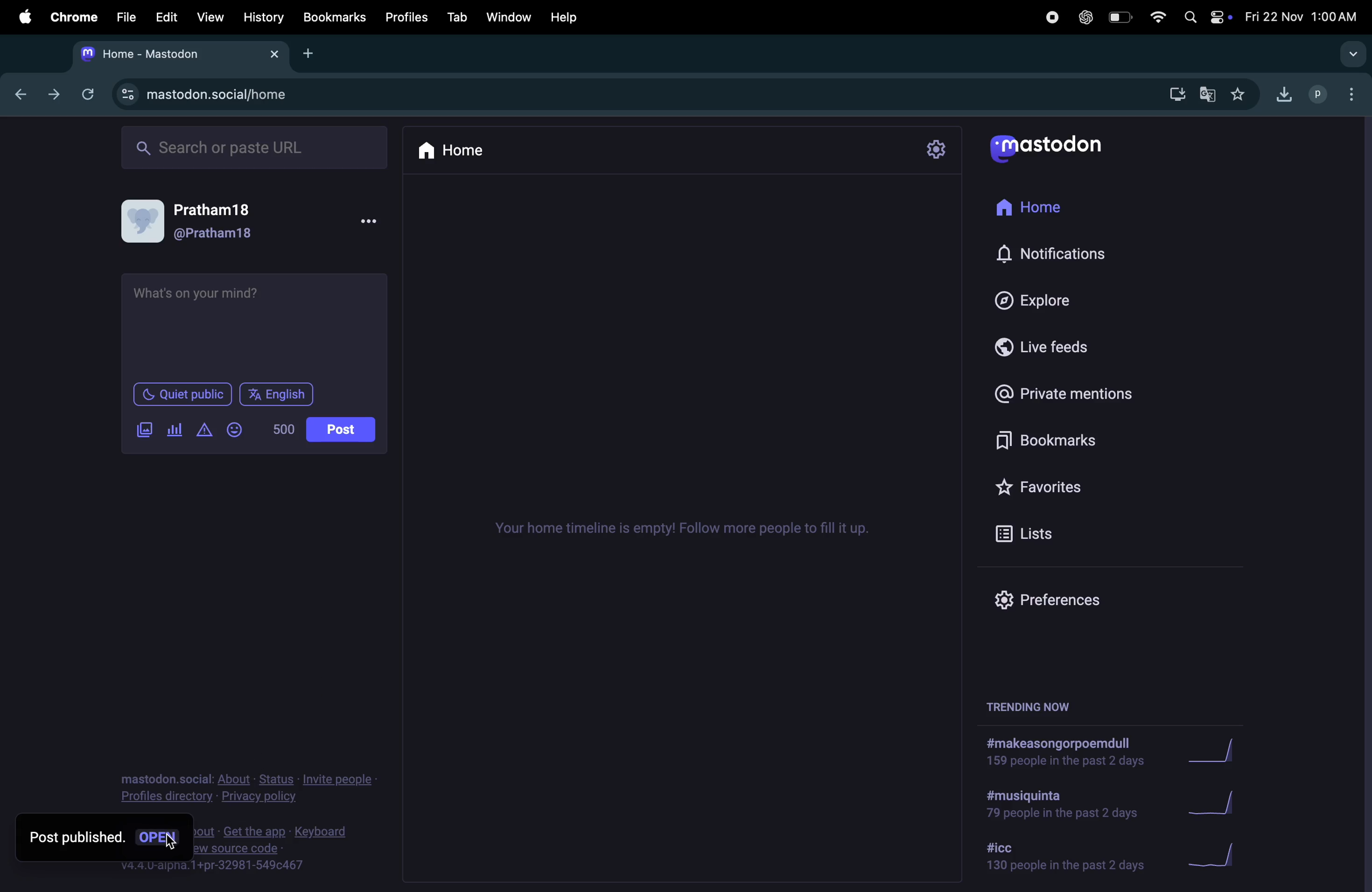 The height and width of the screenshot is (892, 1372). Describe the element at coordinates (687, 530) in the screenshot. I see `time line` at that location.